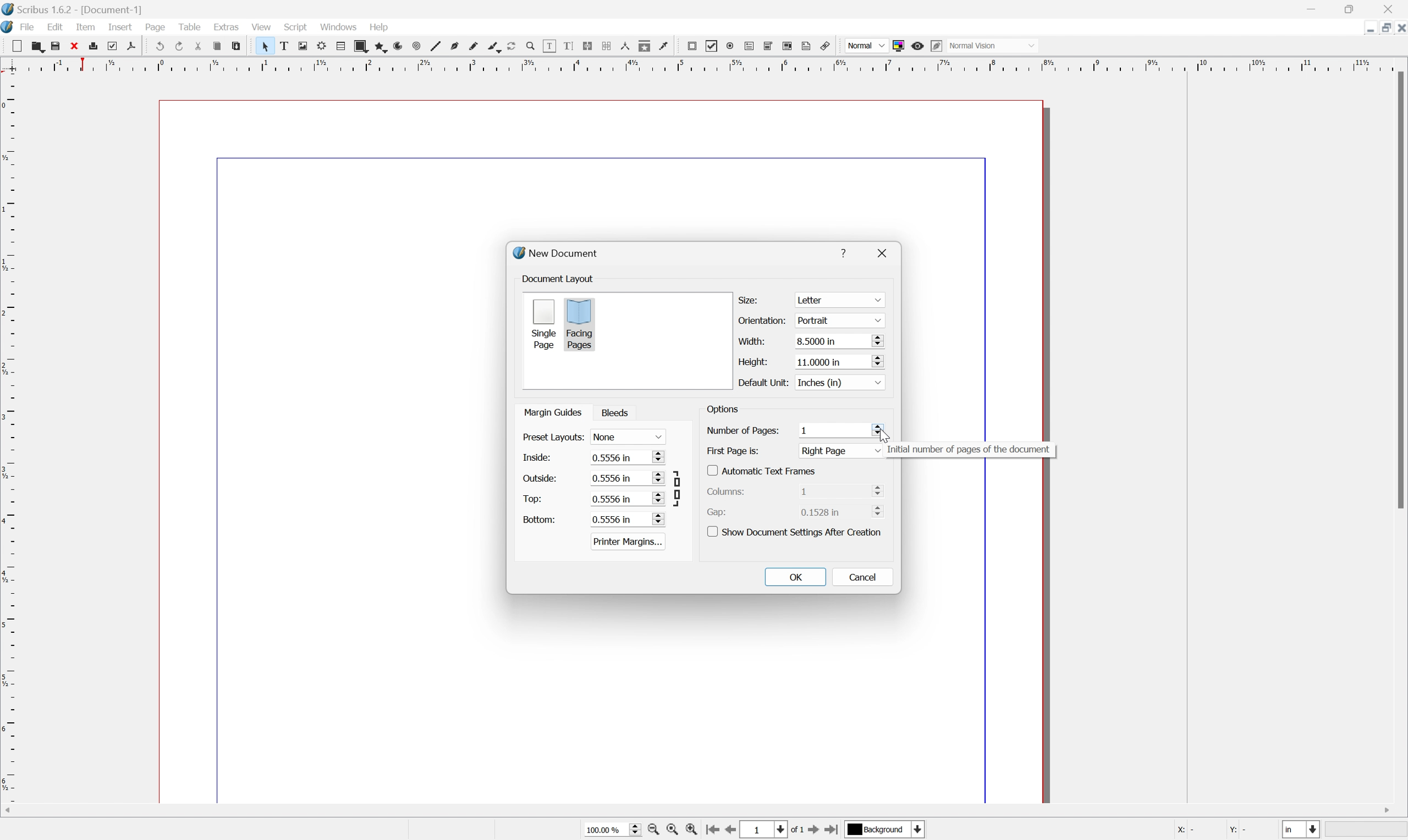 This screenshot has height=840, width=1408. Describe the element at coordinates (284, 46) in the screenshot. I see `Text frame` at that location.